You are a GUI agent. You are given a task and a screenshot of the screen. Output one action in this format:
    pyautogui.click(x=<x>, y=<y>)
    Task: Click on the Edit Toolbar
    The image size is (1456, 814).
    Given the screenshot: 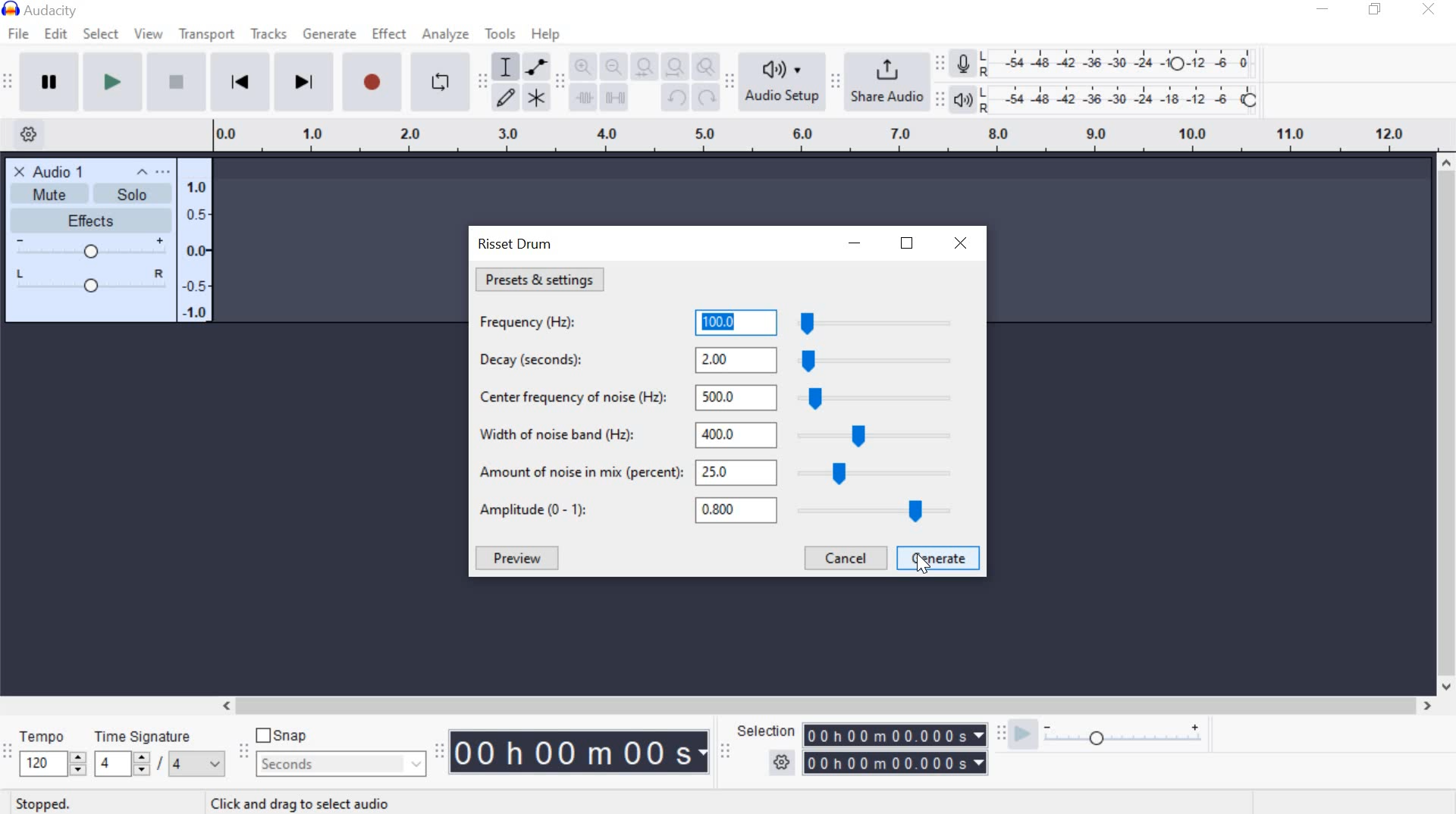 What is the action you would take?
    pyautogui.click(x=559, y=84)
    